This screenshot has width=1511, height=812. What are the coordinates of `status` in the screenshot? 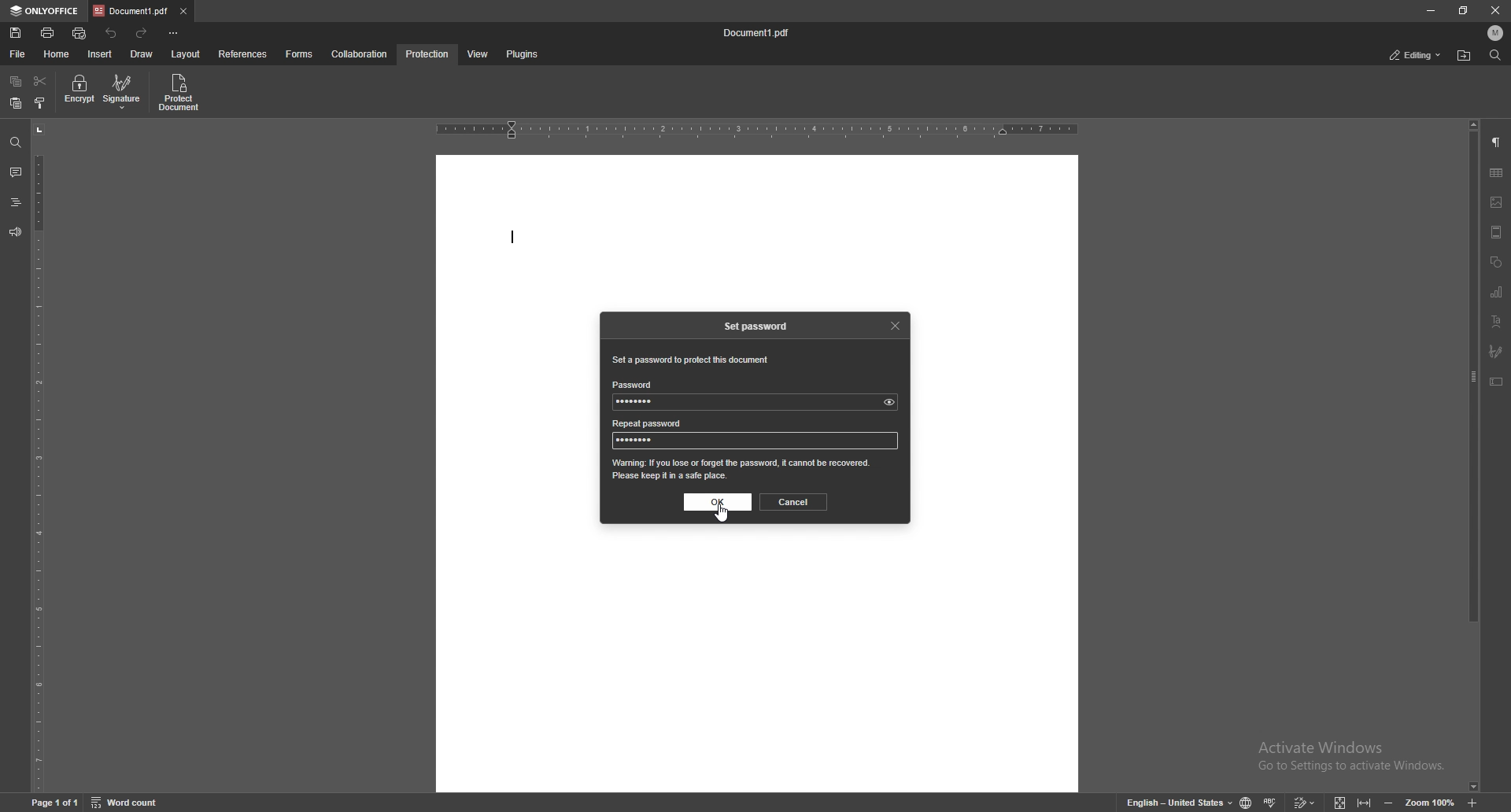 It's located at (1416, 55).